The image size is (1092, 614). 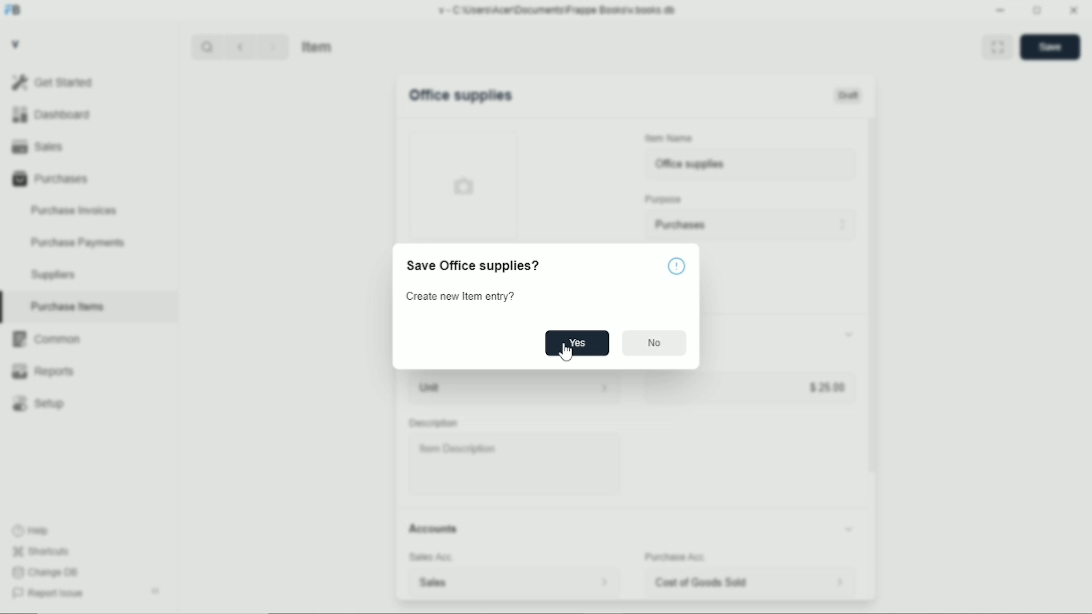 I want to click on shortcuts, so click(x=41, y=552).